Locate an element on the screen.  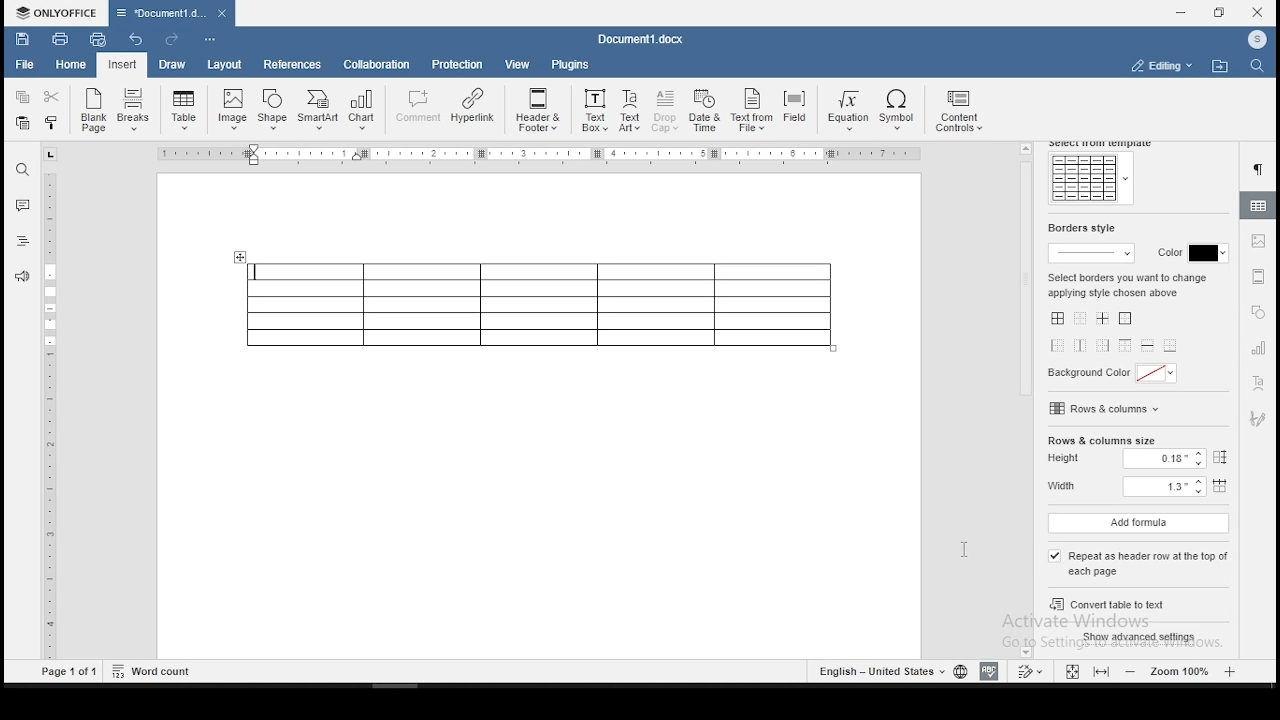
paste is located at coordinates (23, 126).